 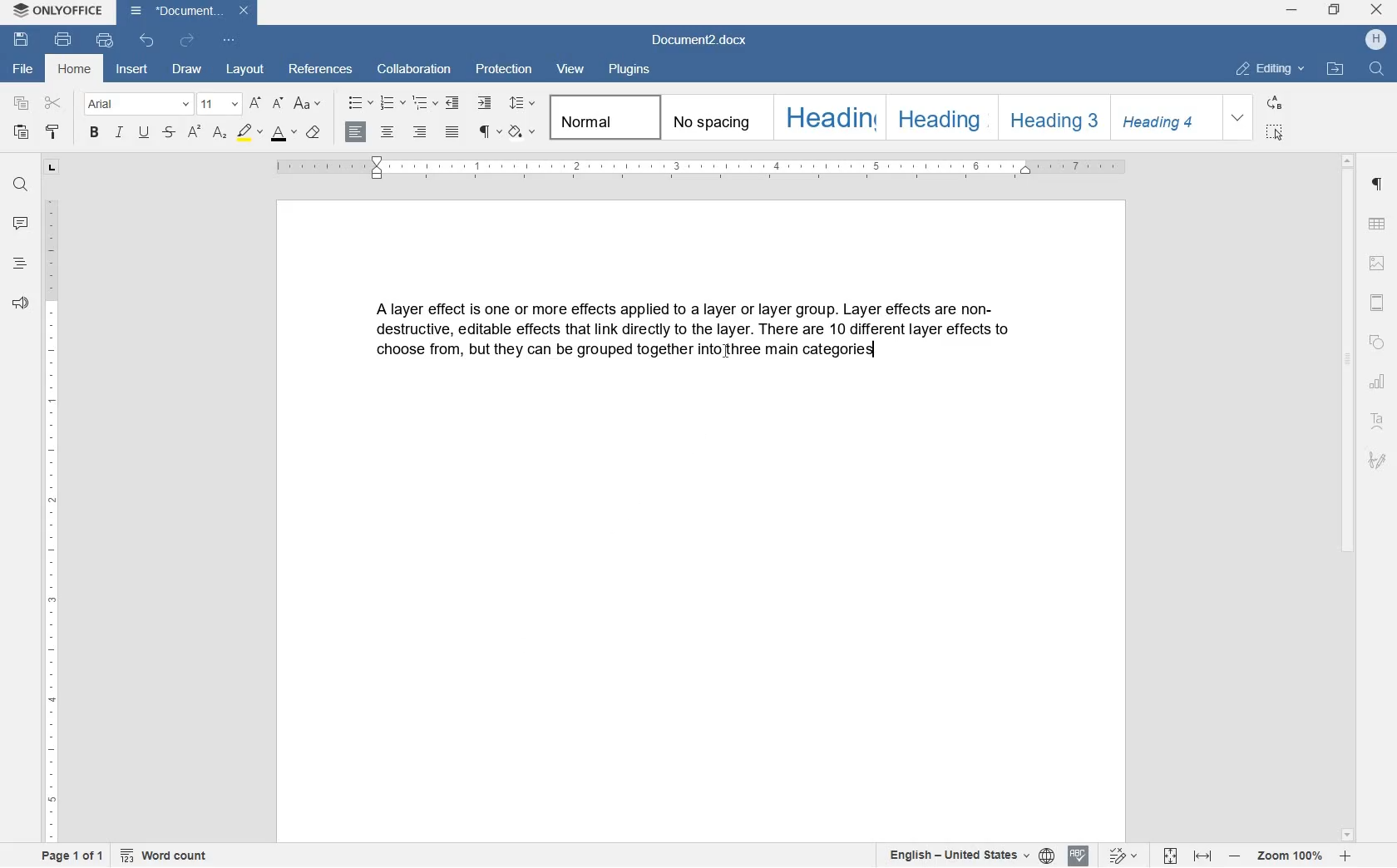 What do you see at coordinates (308, 105) in the screenshot?
I see `change case` at bounding box center [308, 105].